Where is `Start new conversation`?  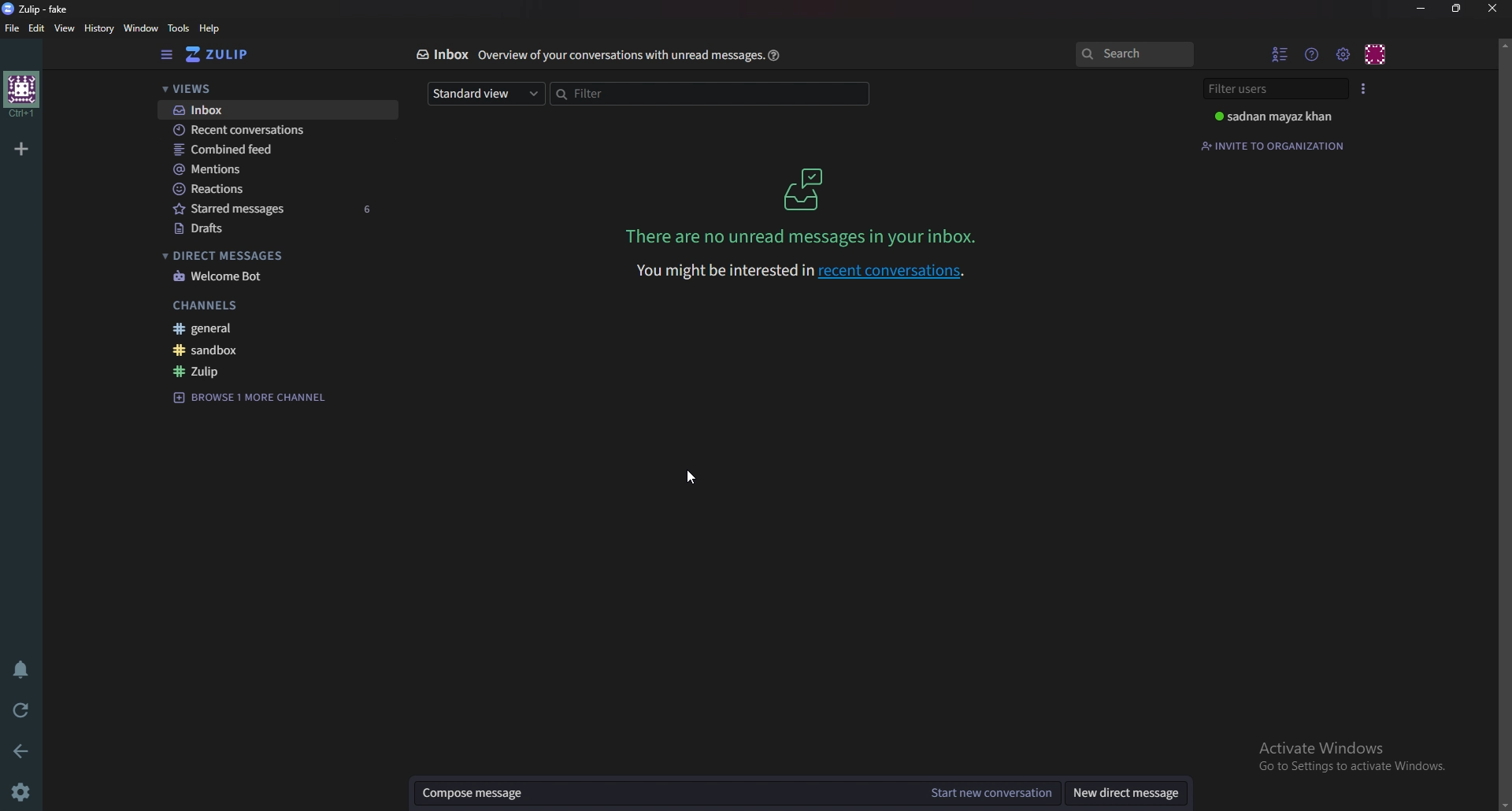
Start new conversation is located at coordinates (989, 793).